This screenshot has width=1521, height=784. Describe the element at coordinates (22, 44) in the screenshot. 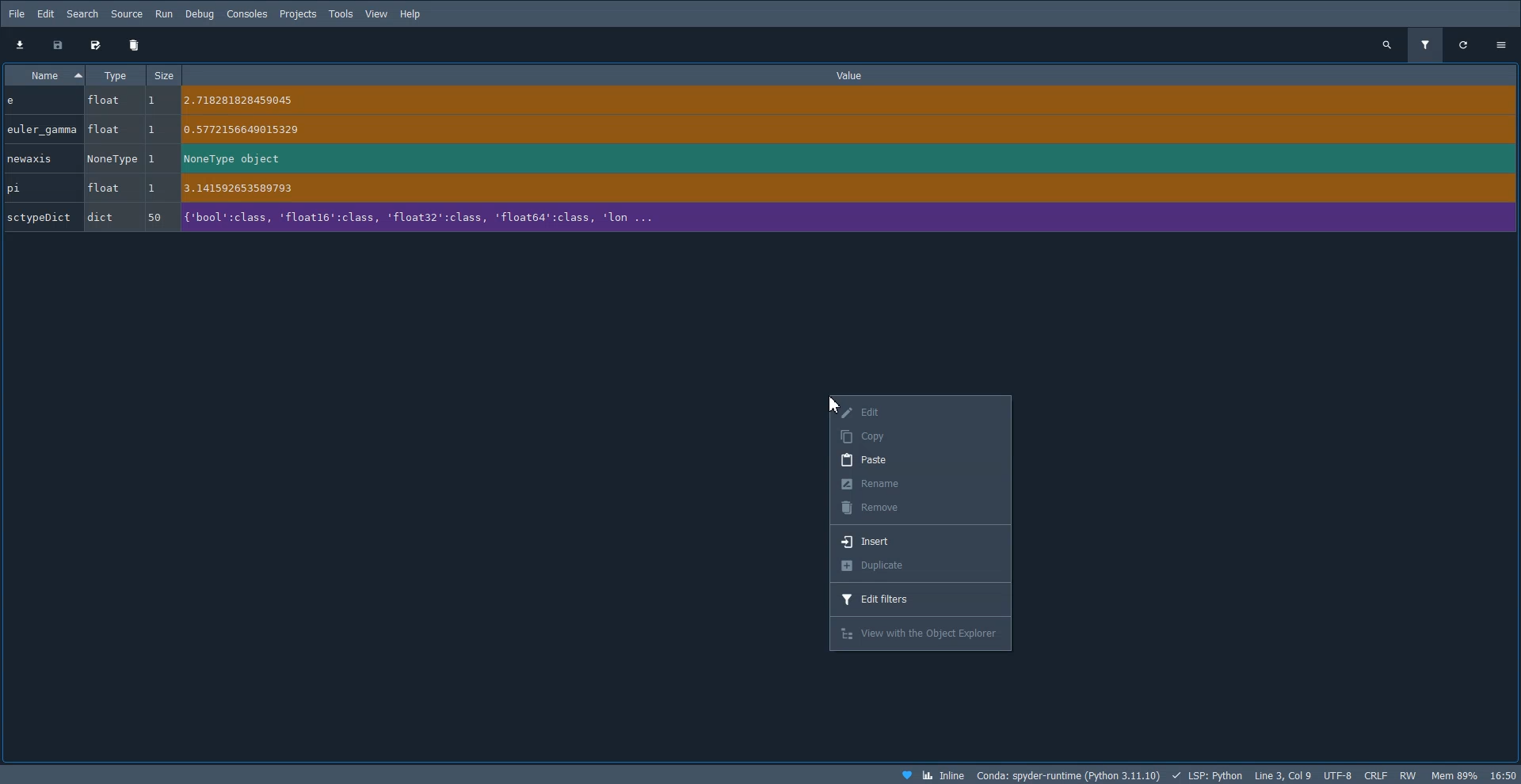

I see `Download` at that location.